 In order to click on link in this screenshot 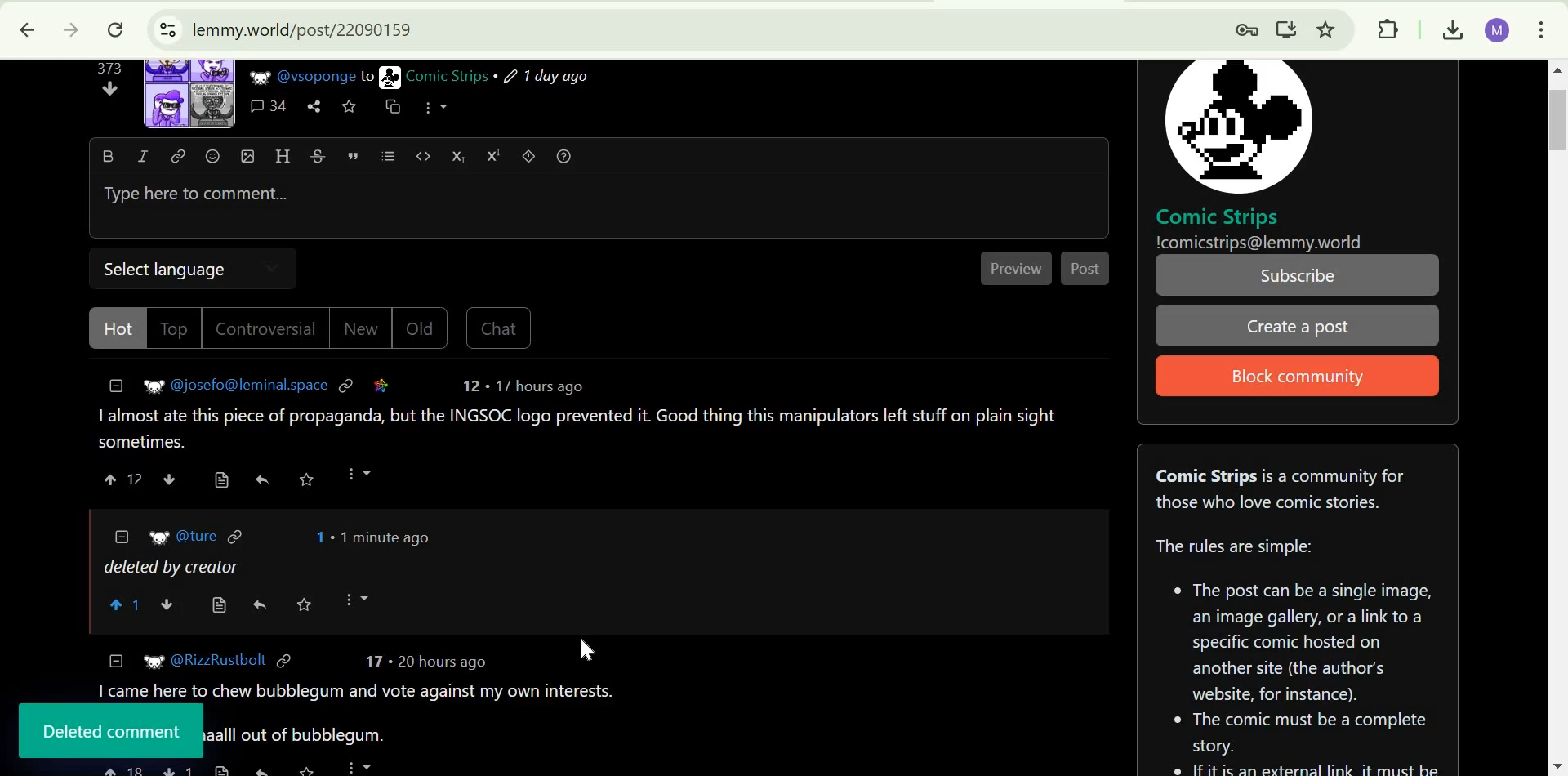, I will do `click(283, 662)`.